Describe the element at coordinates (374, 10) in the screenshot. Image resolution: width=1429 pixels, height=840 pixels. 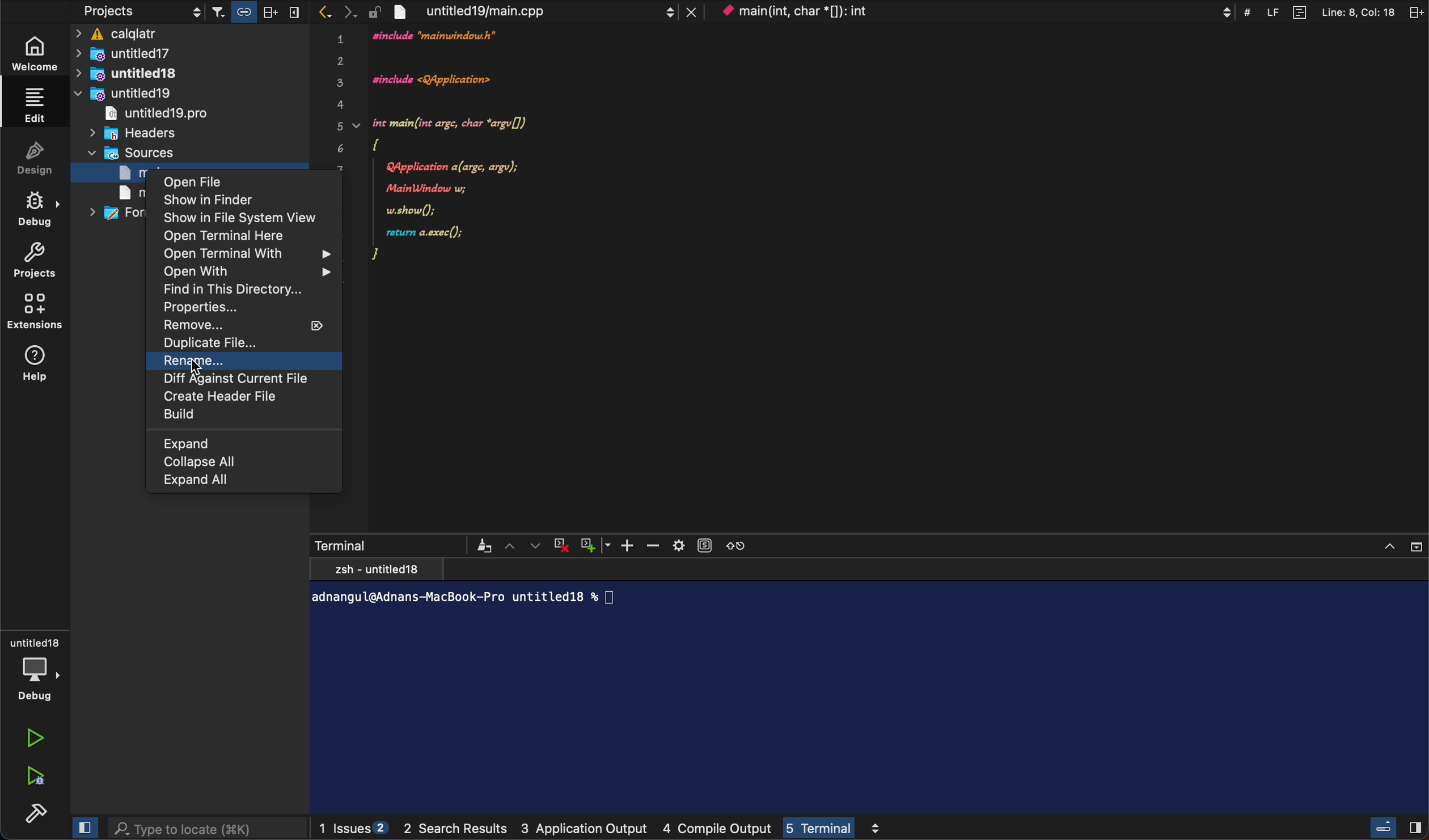
I see `lock` at that location.